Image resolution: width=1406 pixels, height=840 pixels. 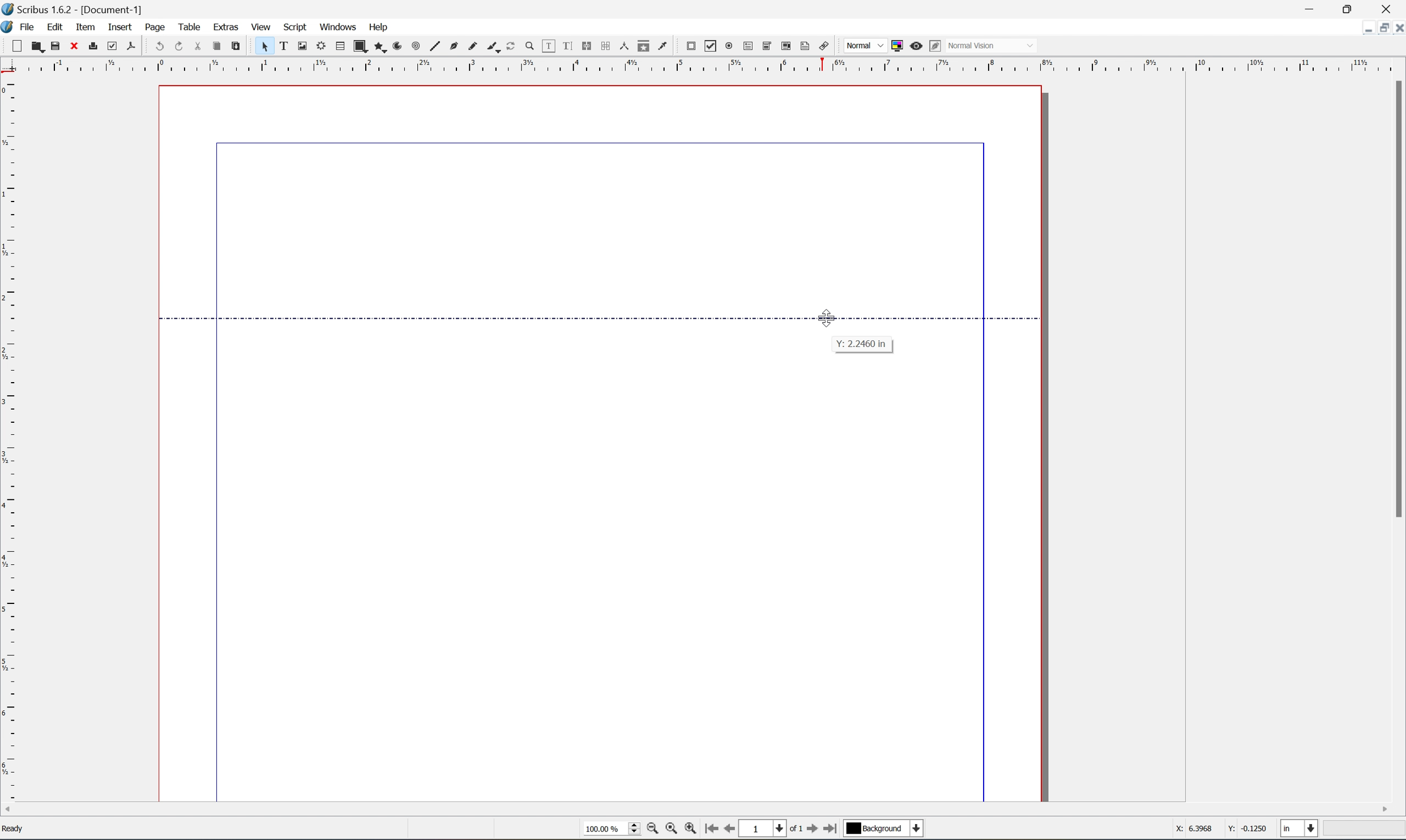 I want to click on minimize, so click(x=1314, y=7).